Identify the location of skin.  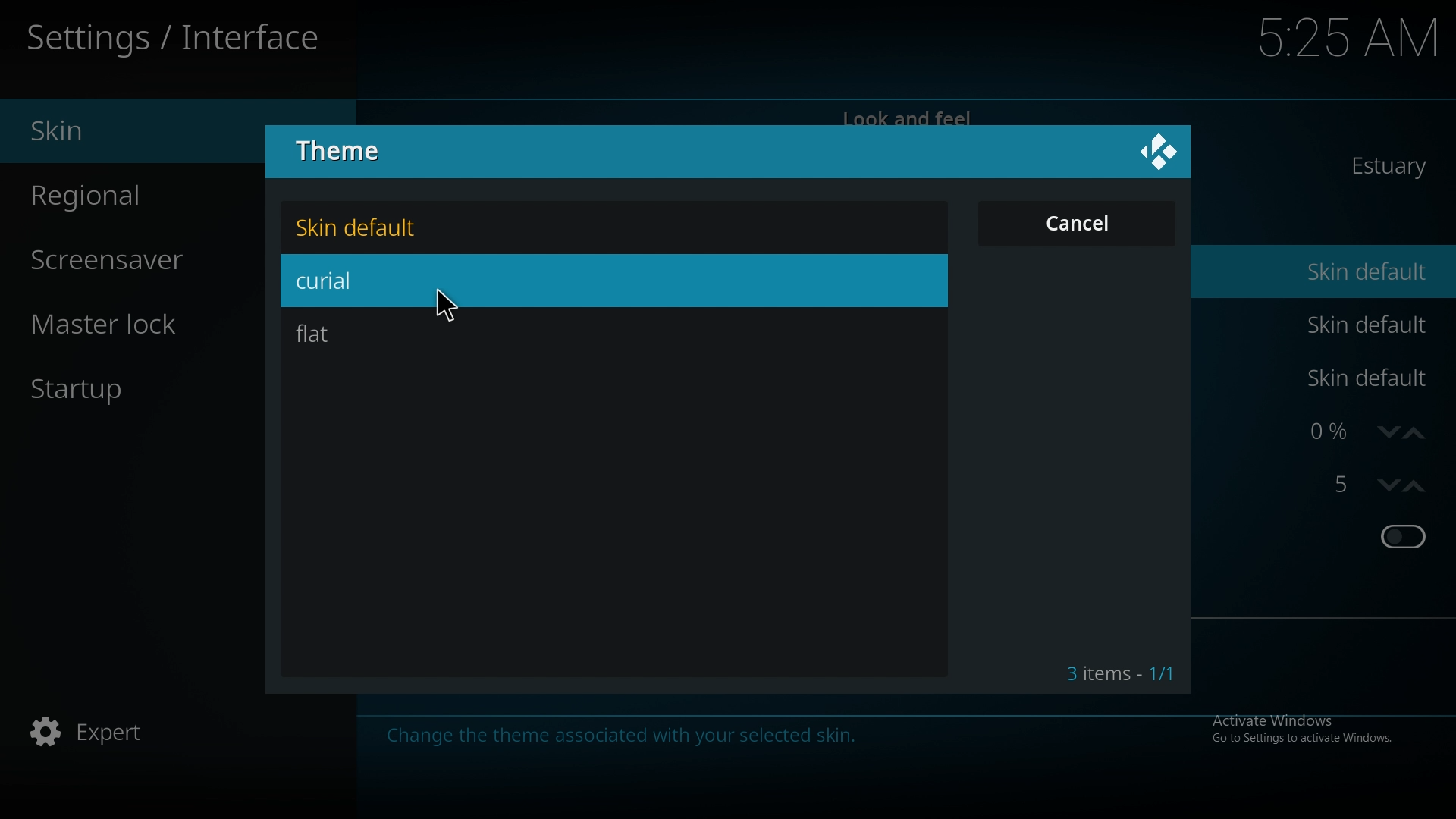
(128, 133).